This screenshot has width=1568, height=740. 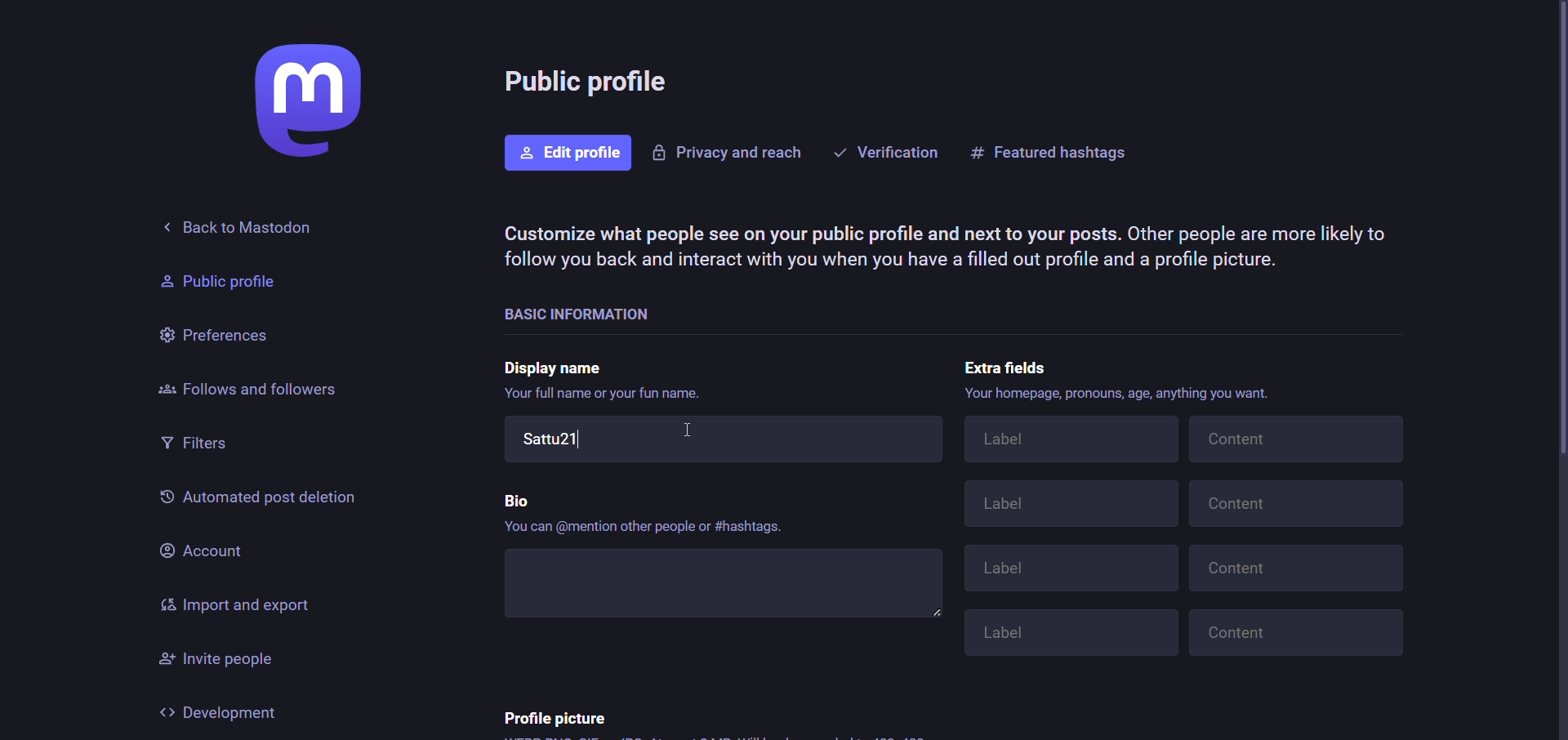 What do you see at coordinates (201, 549) in the screenshot?
I see `account` at bounding box center [201, 549].